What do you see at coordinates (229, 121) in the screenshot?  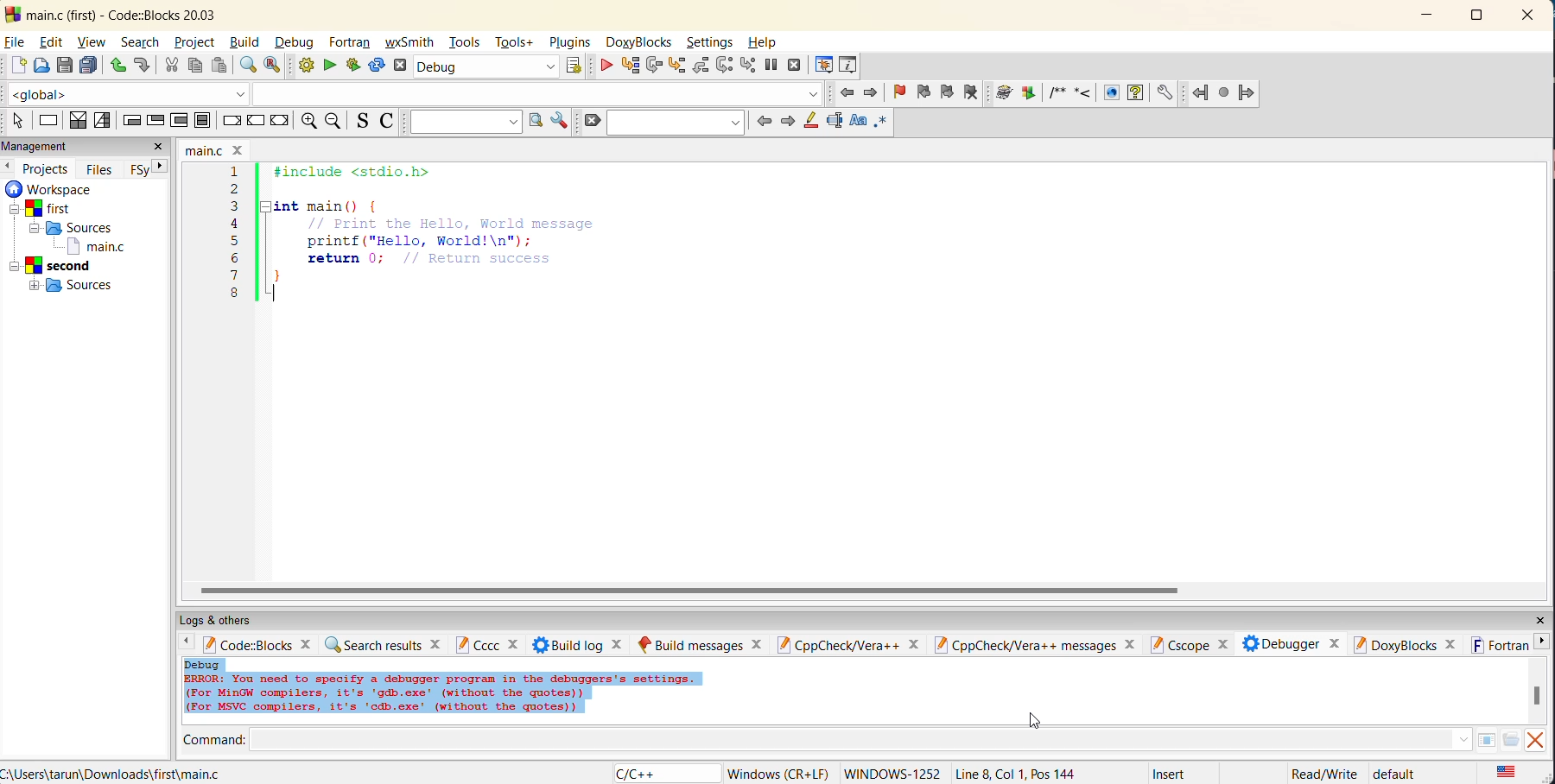 I see `break instruction` at bounding box center [229, 121].